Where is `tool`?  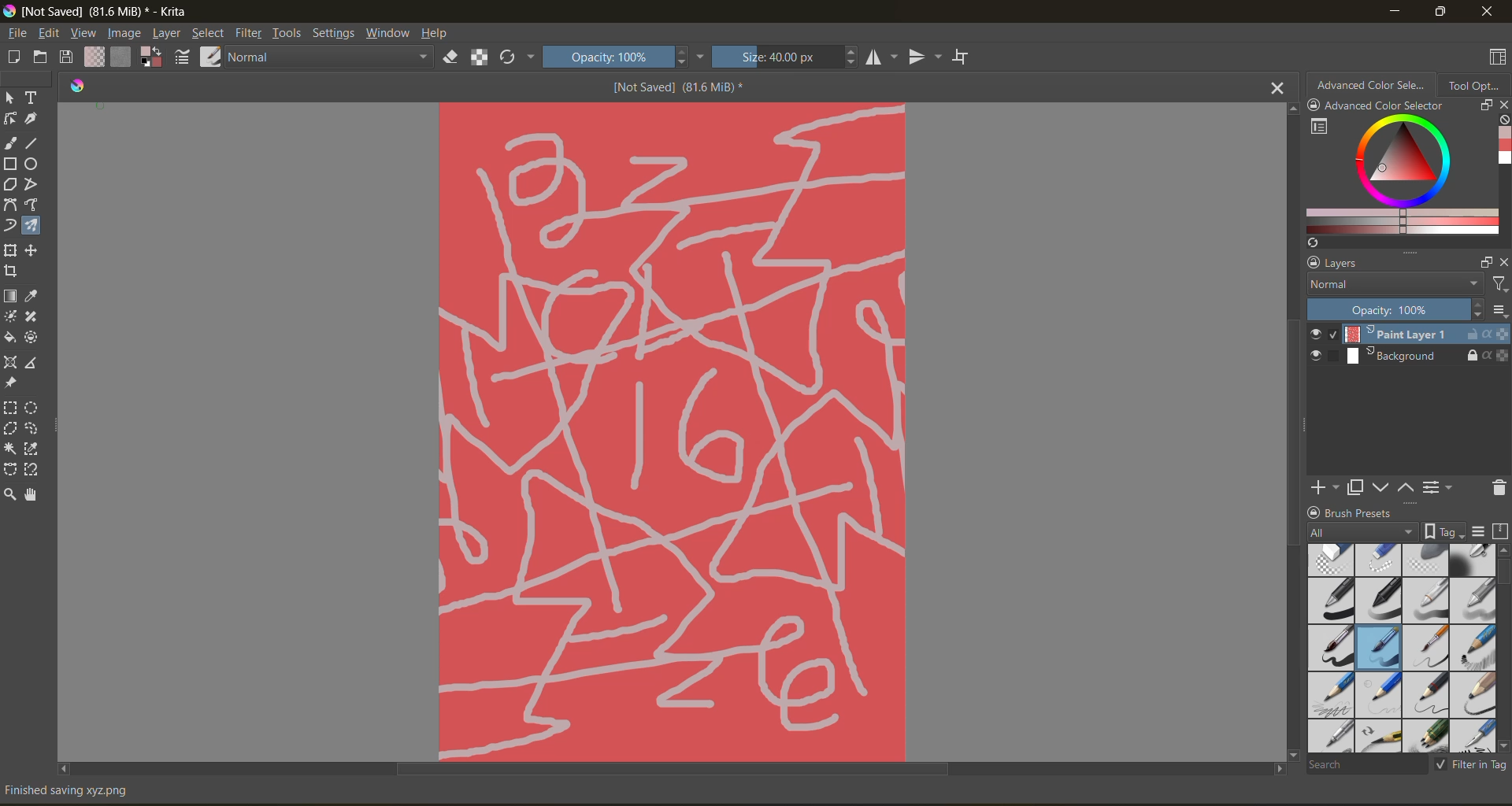
tool is located at coordinates (9, 297).